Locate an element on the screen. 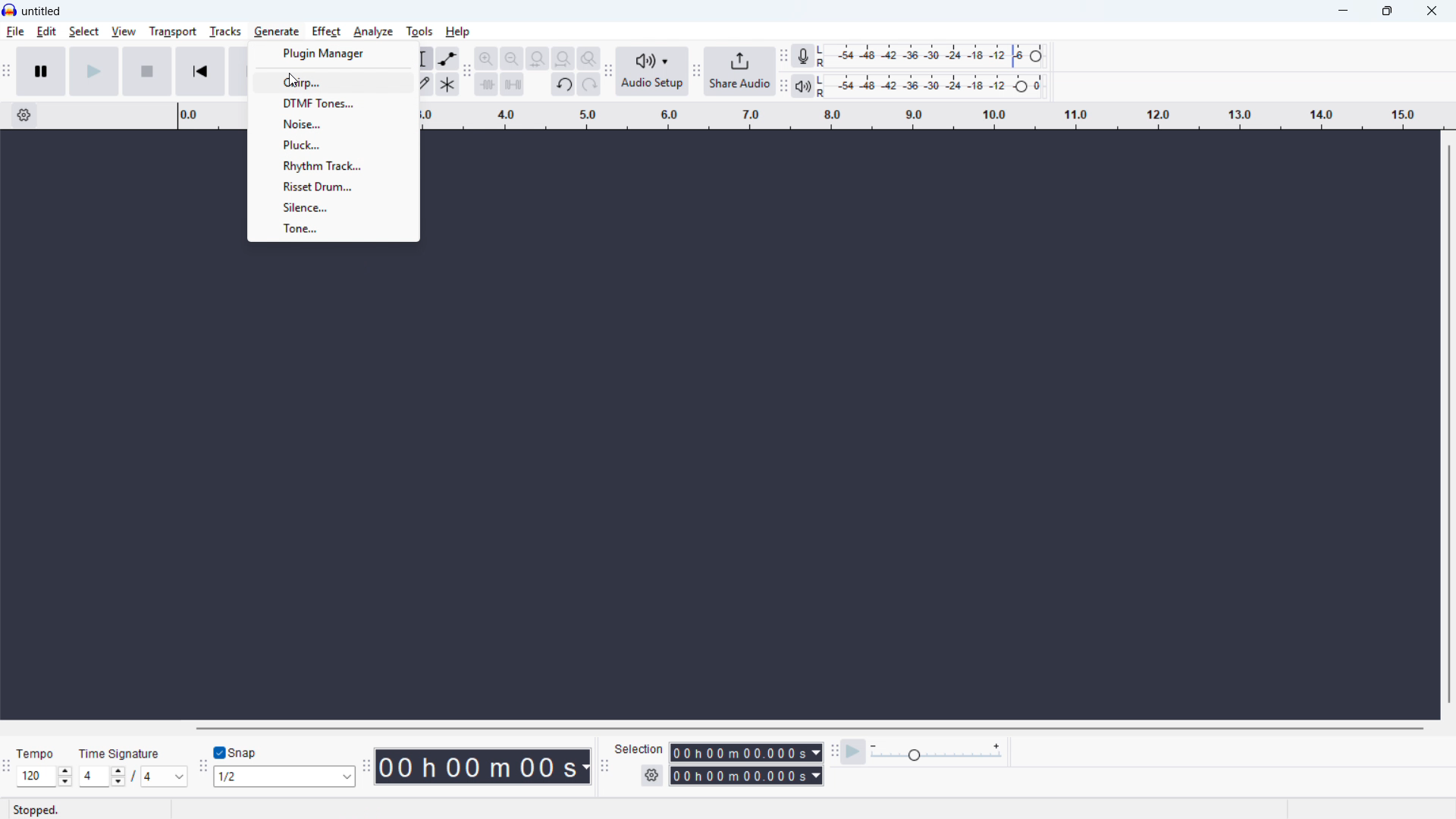 This screenshot has height=819, width=1456. Multi - tool is located at coordinates (448, 84).